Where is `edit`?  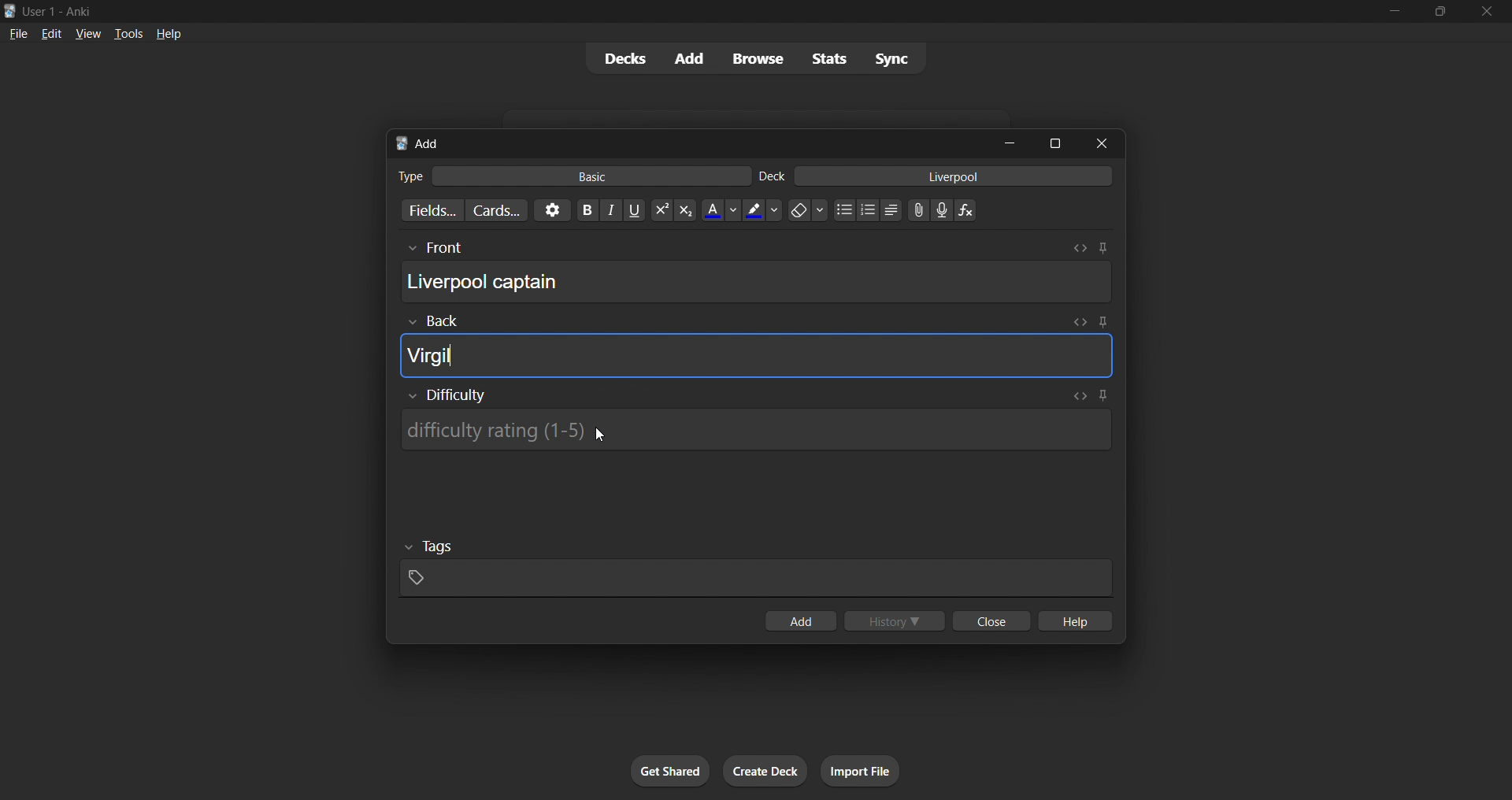 edit is located at coordinates (52, 33).